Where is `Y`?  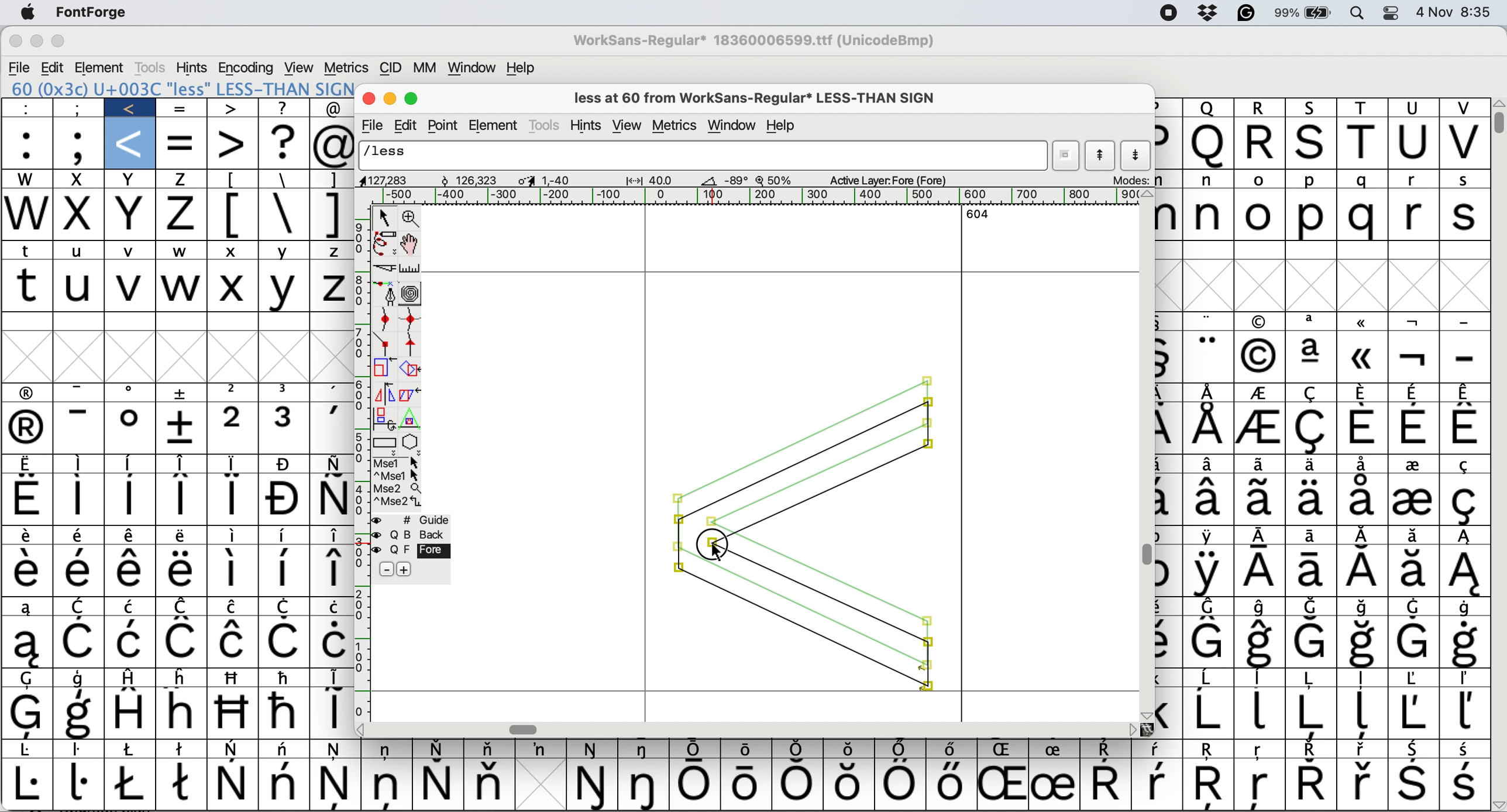
Y is located at coordinates (284, 248).